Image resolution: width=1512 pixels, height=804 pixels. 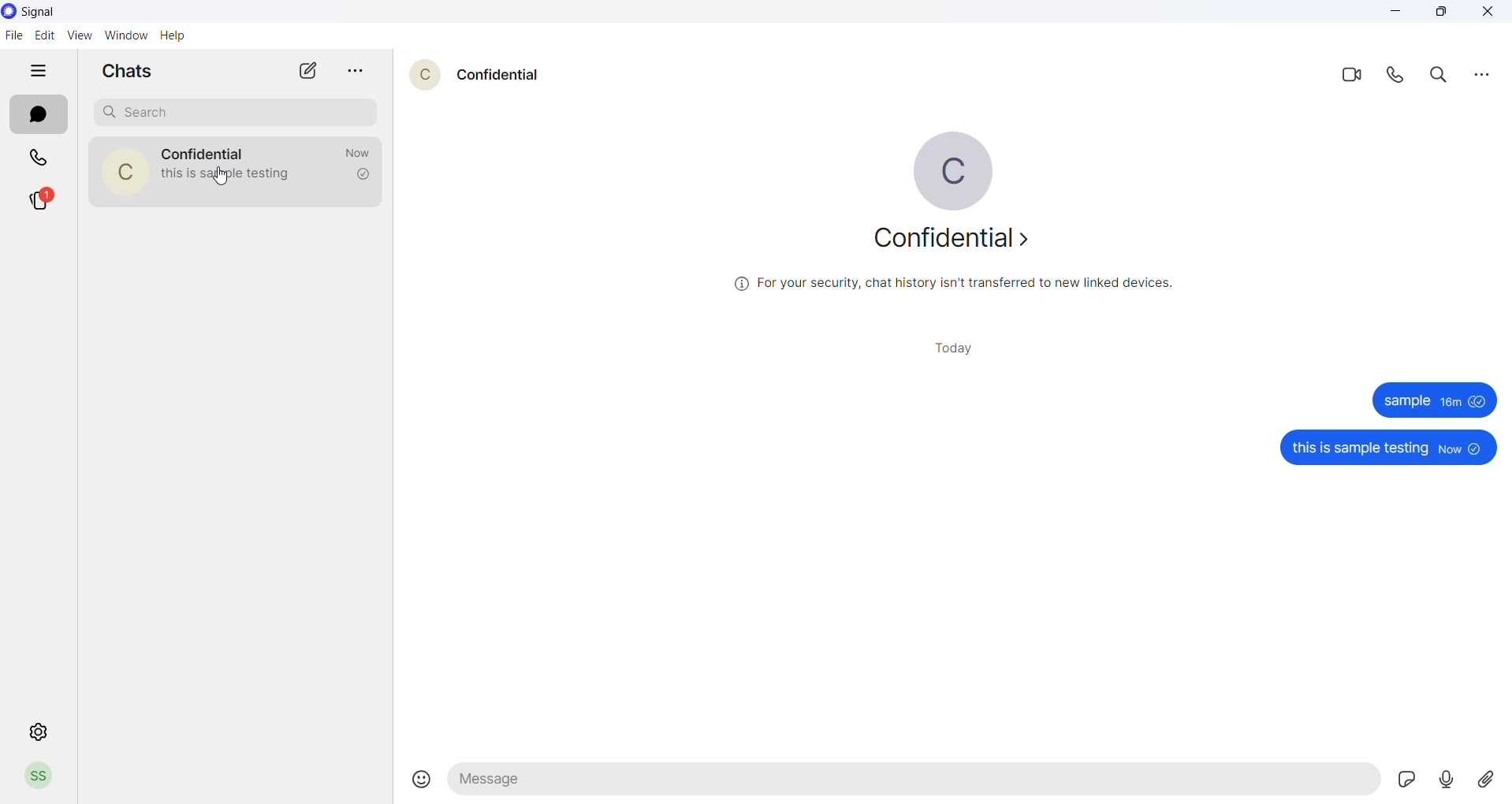 What do you see at coordinates (32, 155) in the screenshot?
I see `call` at bounding box center [32, 155].